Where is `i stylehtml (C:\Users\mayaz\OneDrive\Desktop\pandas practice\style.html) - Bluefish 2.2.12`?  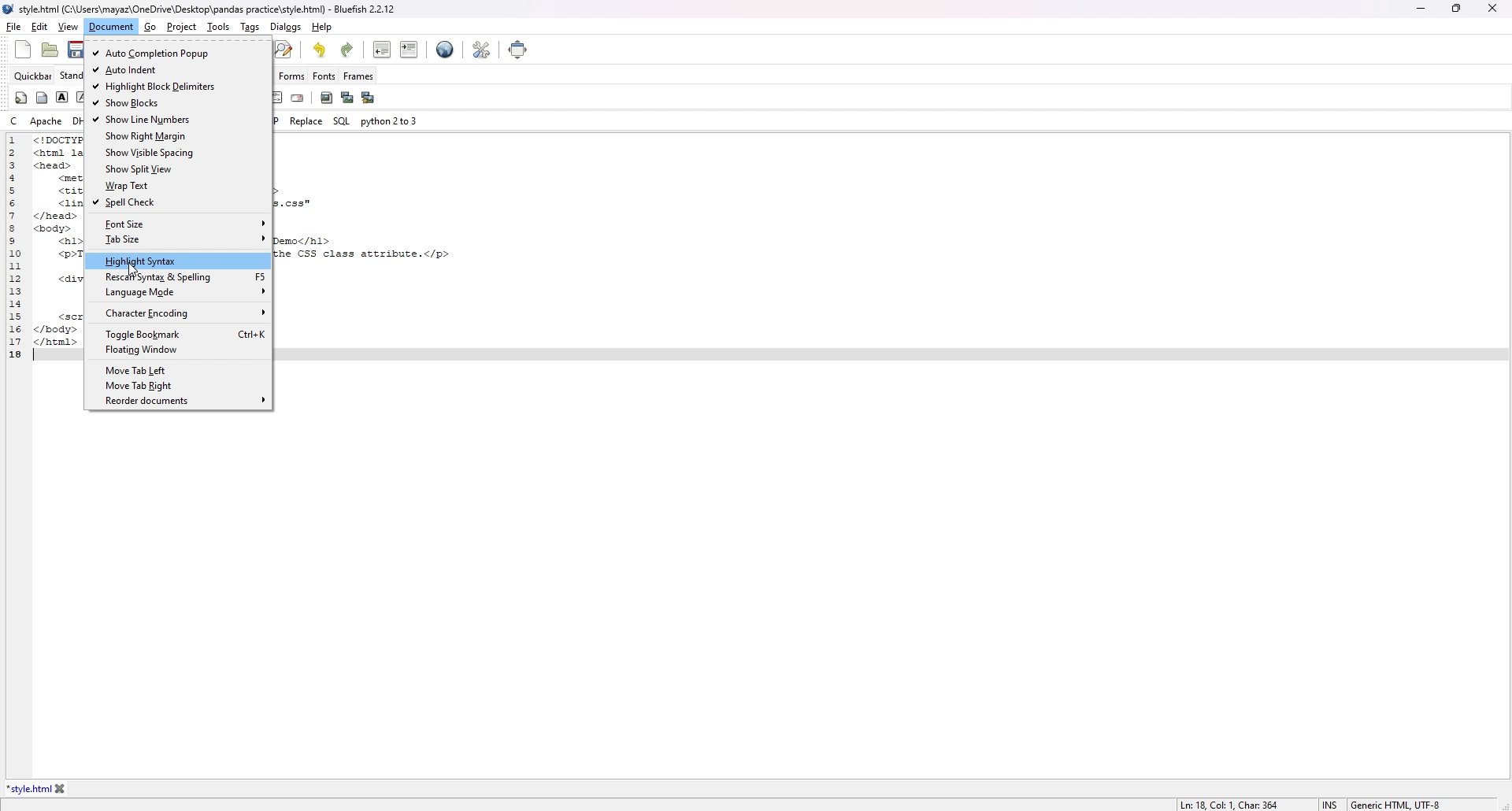 i stylehtml (C:\Users\mayaz\OneDrive\Desktop\pandas practice\style.html) - Bluefish 2.2.12 is located at coordinates (202, 10).